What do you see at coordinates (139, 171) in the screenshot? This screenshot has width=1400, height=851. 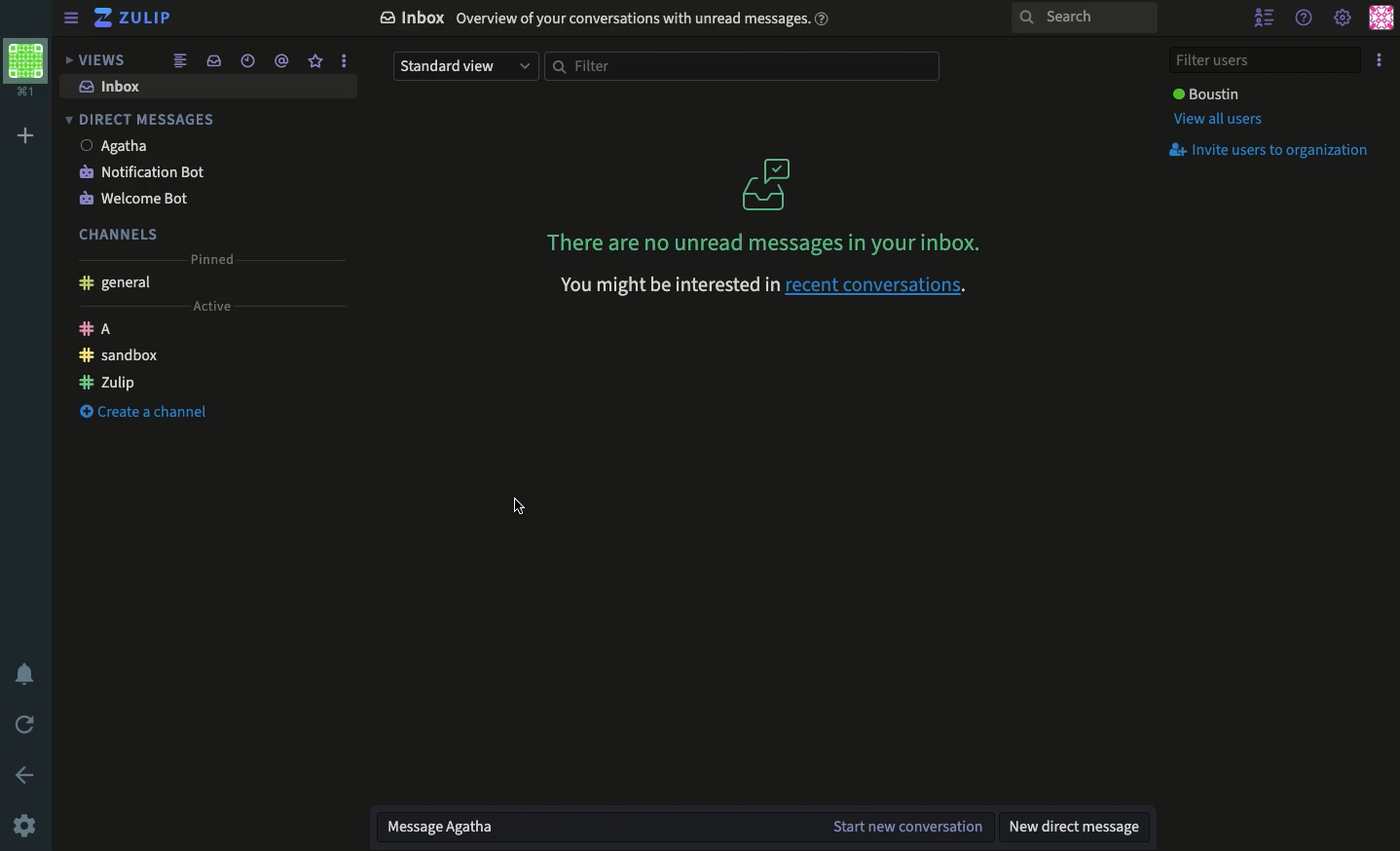 I see `Notification bot` at bounding box center [139, 171].